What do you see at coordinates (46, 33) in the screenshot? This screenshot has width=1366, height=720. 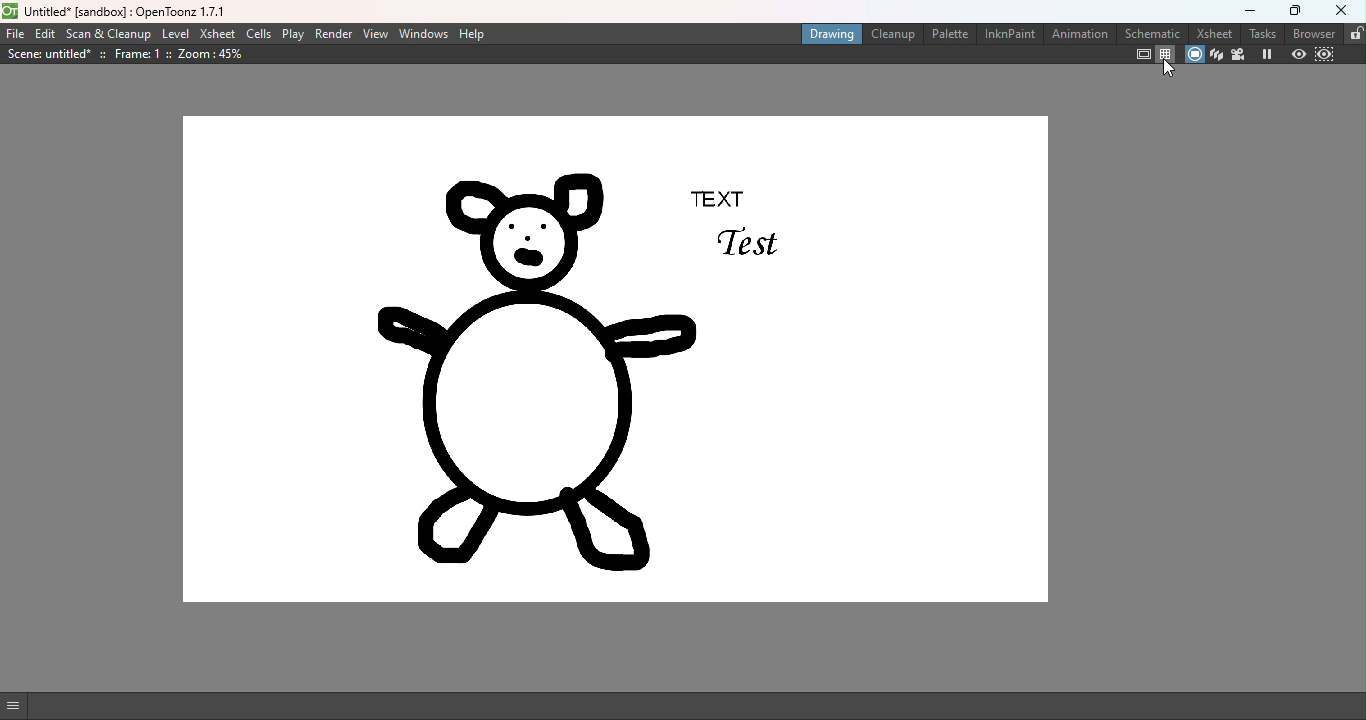 I see `Edit` at bounding box center [46, 33].